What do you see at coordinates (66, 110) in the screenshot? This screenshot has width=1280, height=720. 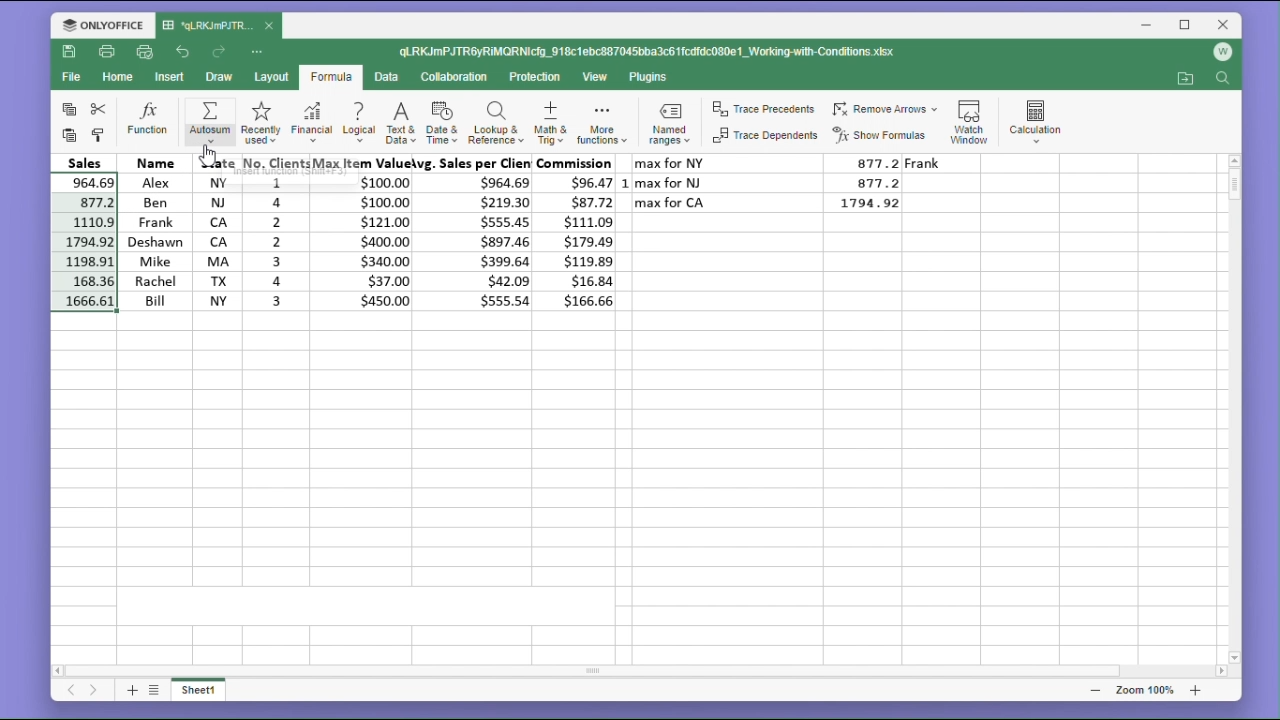 I see `copy` at bounding box center [66, 110].